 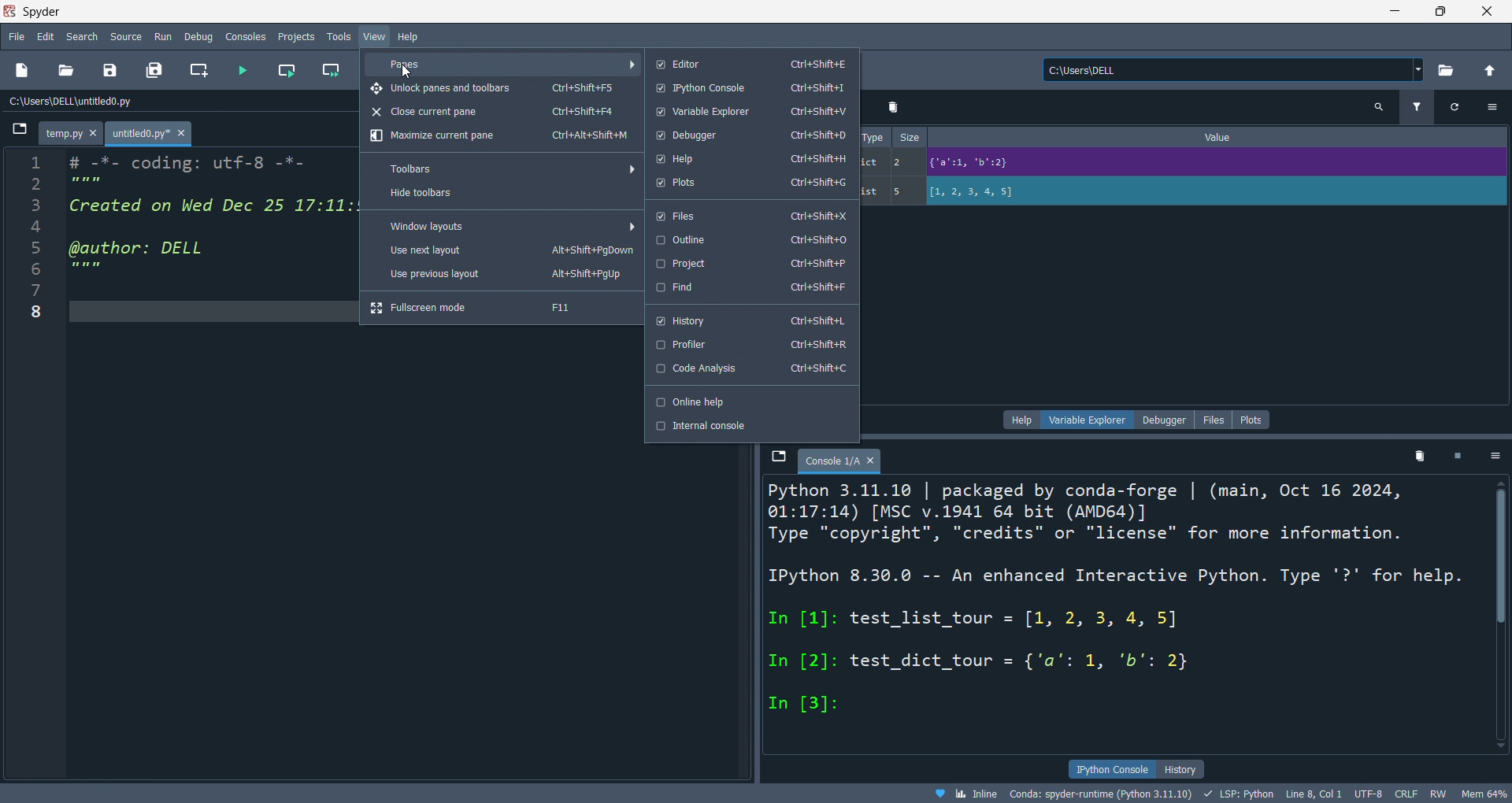 I want to click on panes, so click(x=505, y=64).